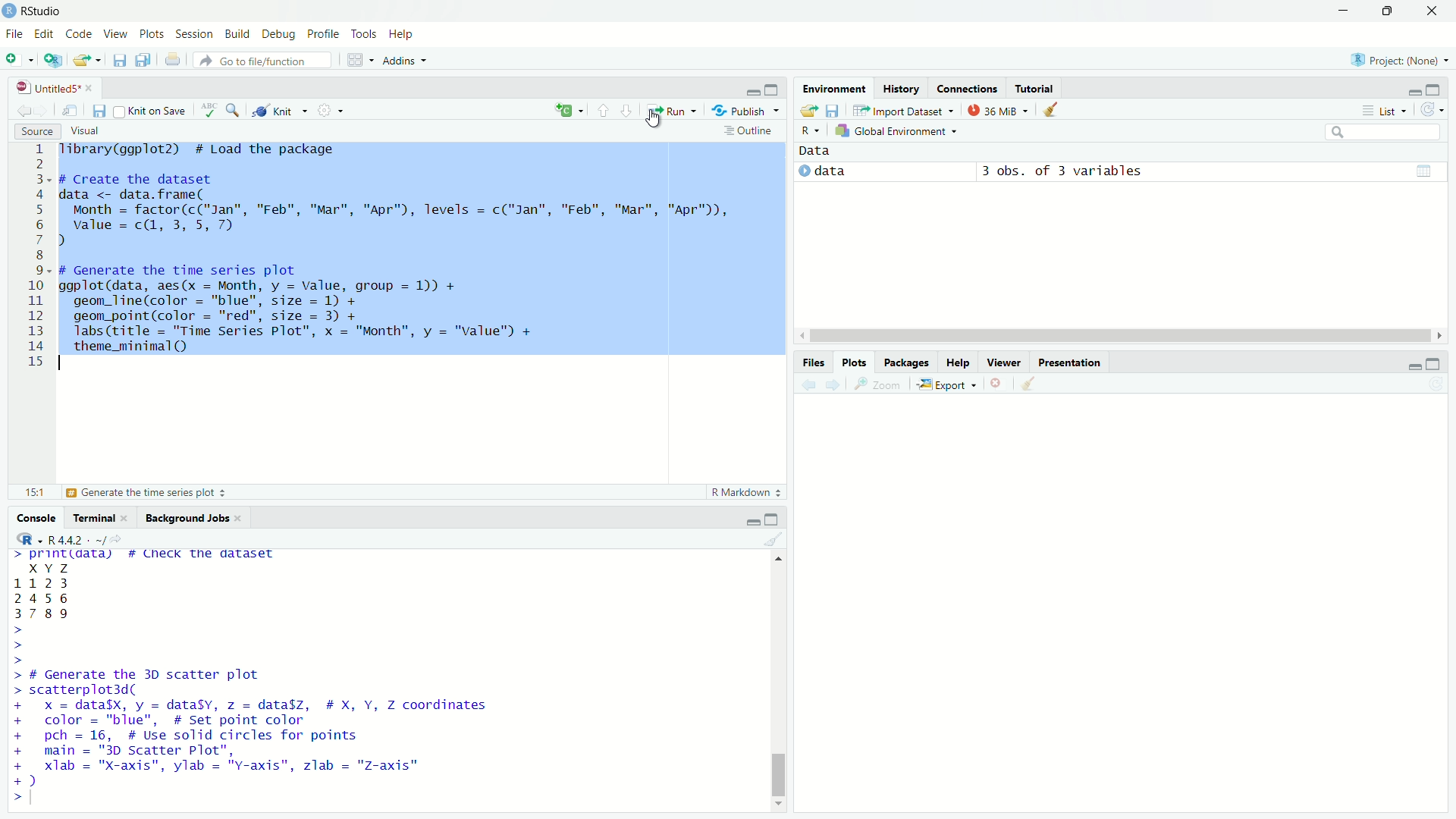  What do you see at coordinates (959, 362) in the screenshot?
I see `help` at bounding box center [959, 362].